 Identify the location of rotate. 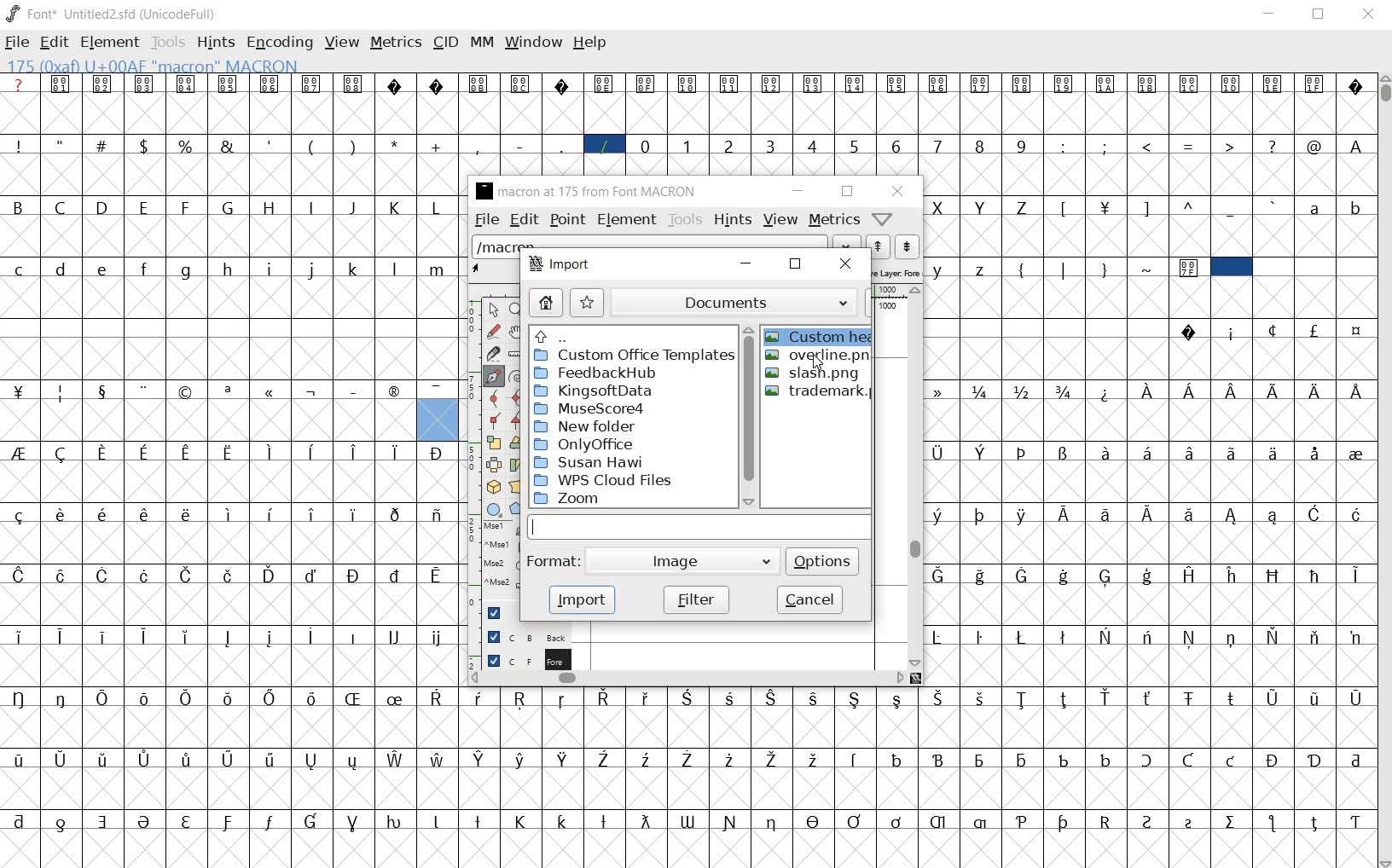
(516, 442).